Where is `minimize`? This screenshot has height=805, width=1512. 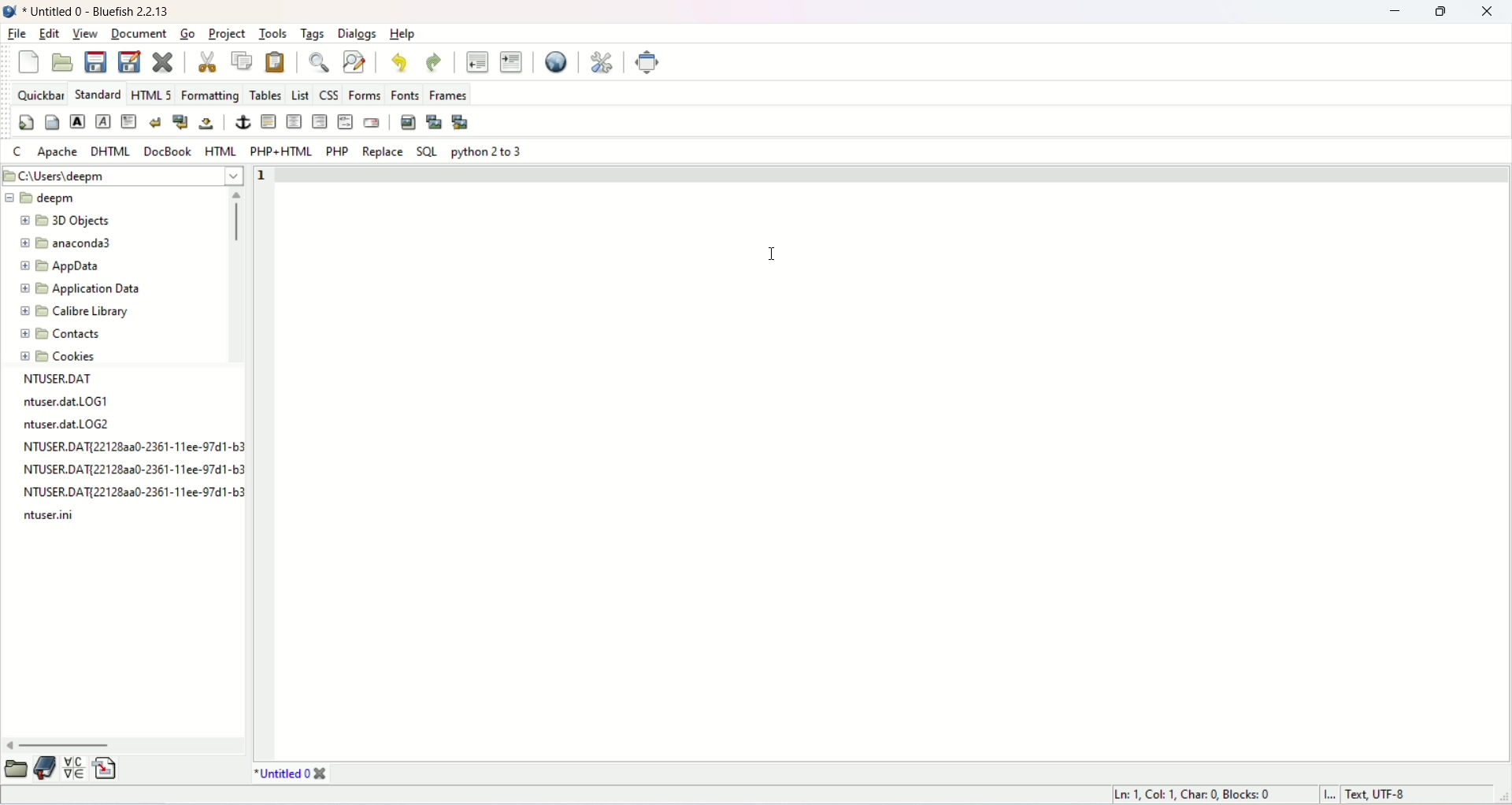 minimize is located at coordinates (1388, 15).